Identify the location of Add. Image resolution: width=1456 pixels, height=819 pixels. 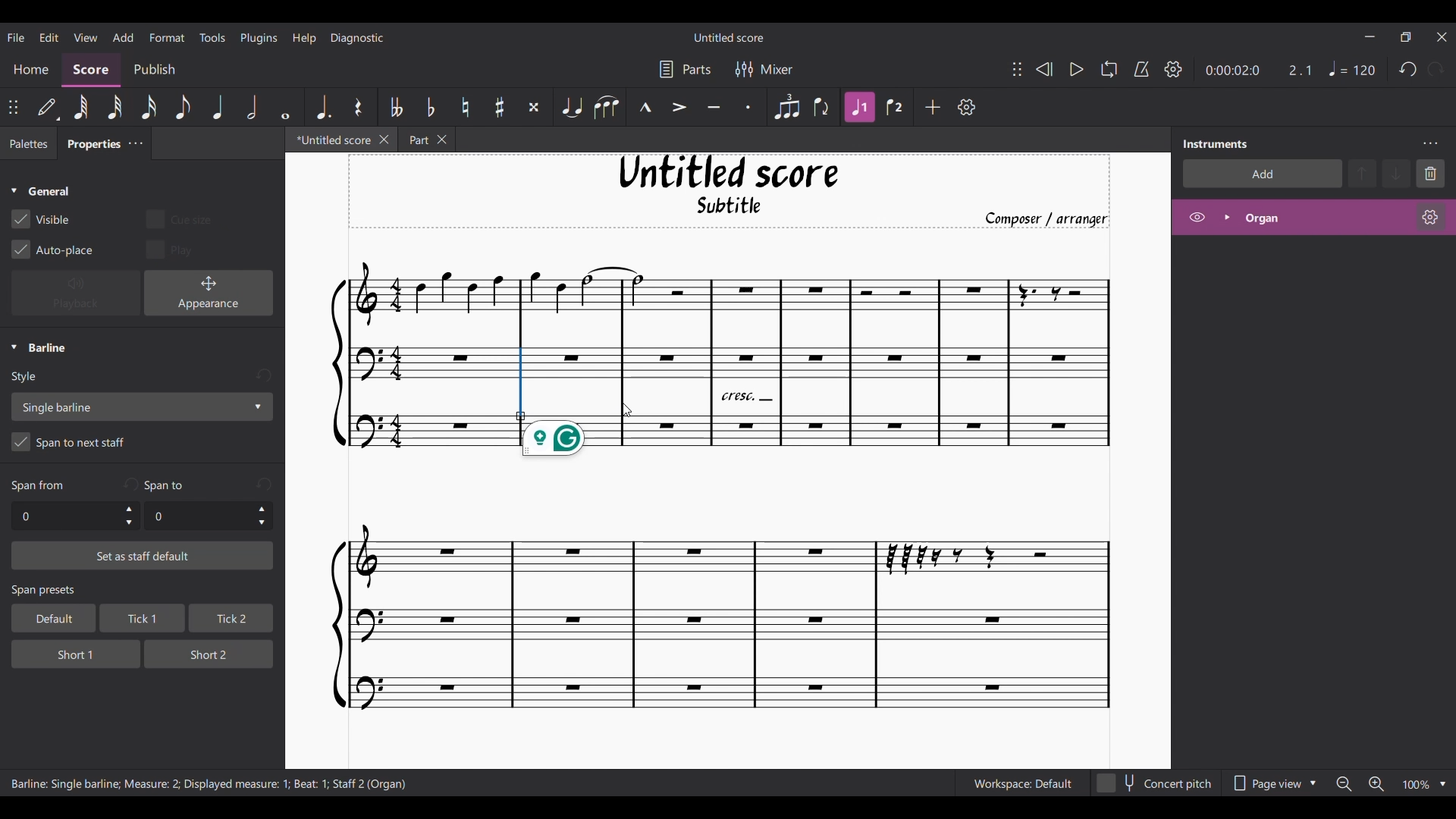
(934, 107).